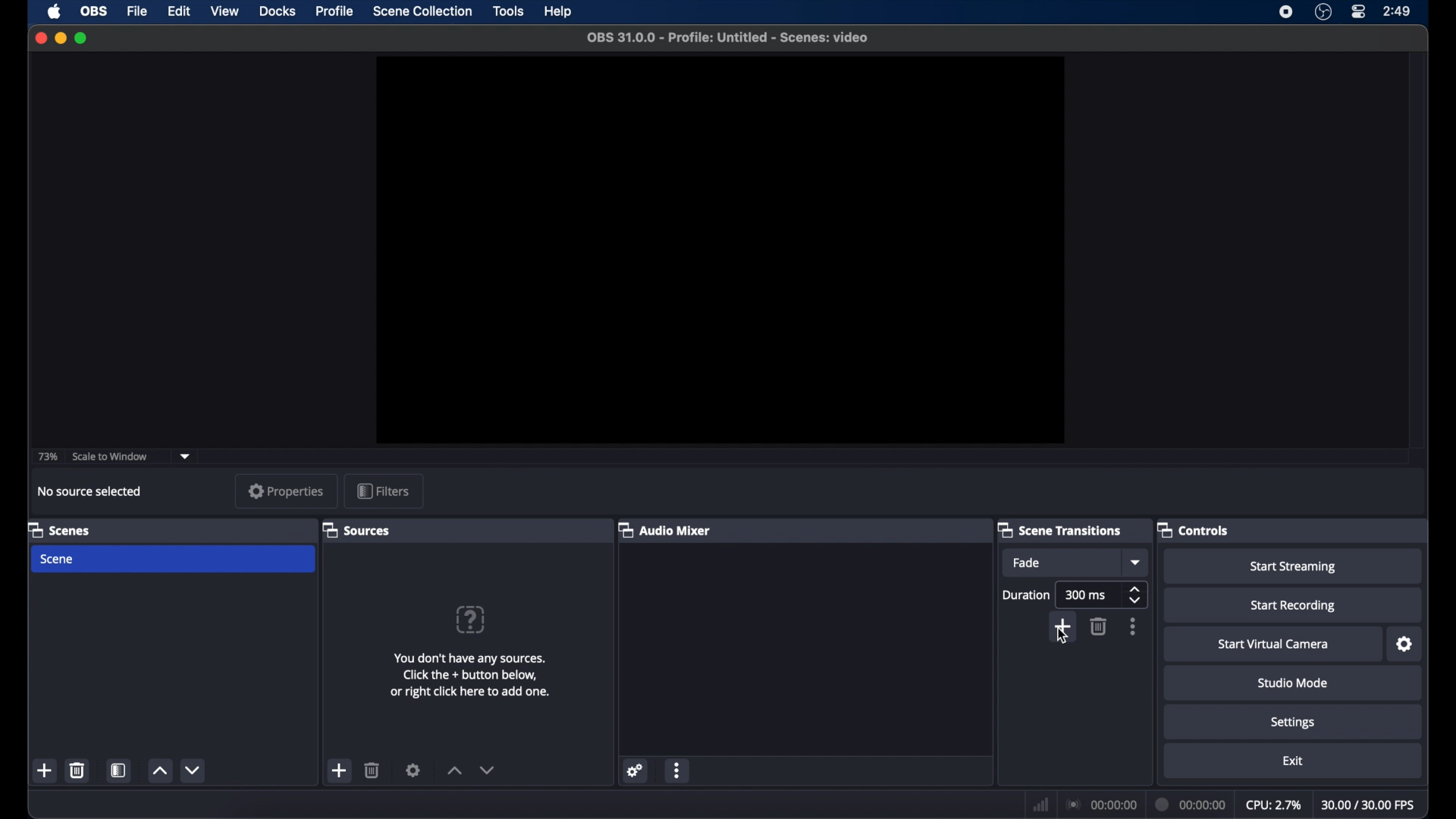 The image size is (1456, 819). Describe the element at coordinates (1028, 563) in the screenshot. I see `fade` at that location.